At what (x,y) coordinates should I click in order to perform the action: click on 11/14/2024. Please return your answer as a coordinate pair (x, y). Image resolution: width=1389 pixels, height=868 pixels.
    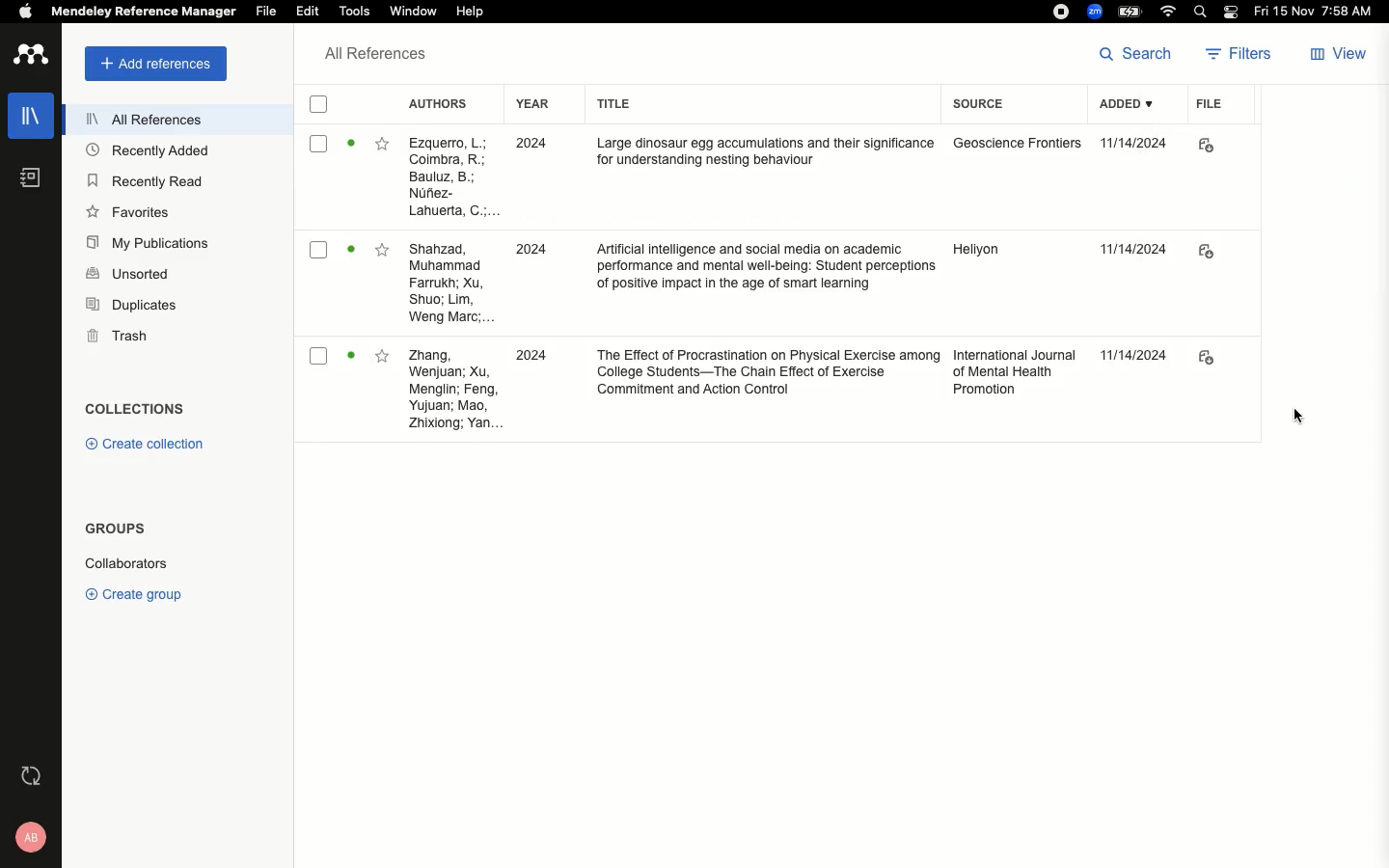
    Looking at the image, I should click on (1135, 351).